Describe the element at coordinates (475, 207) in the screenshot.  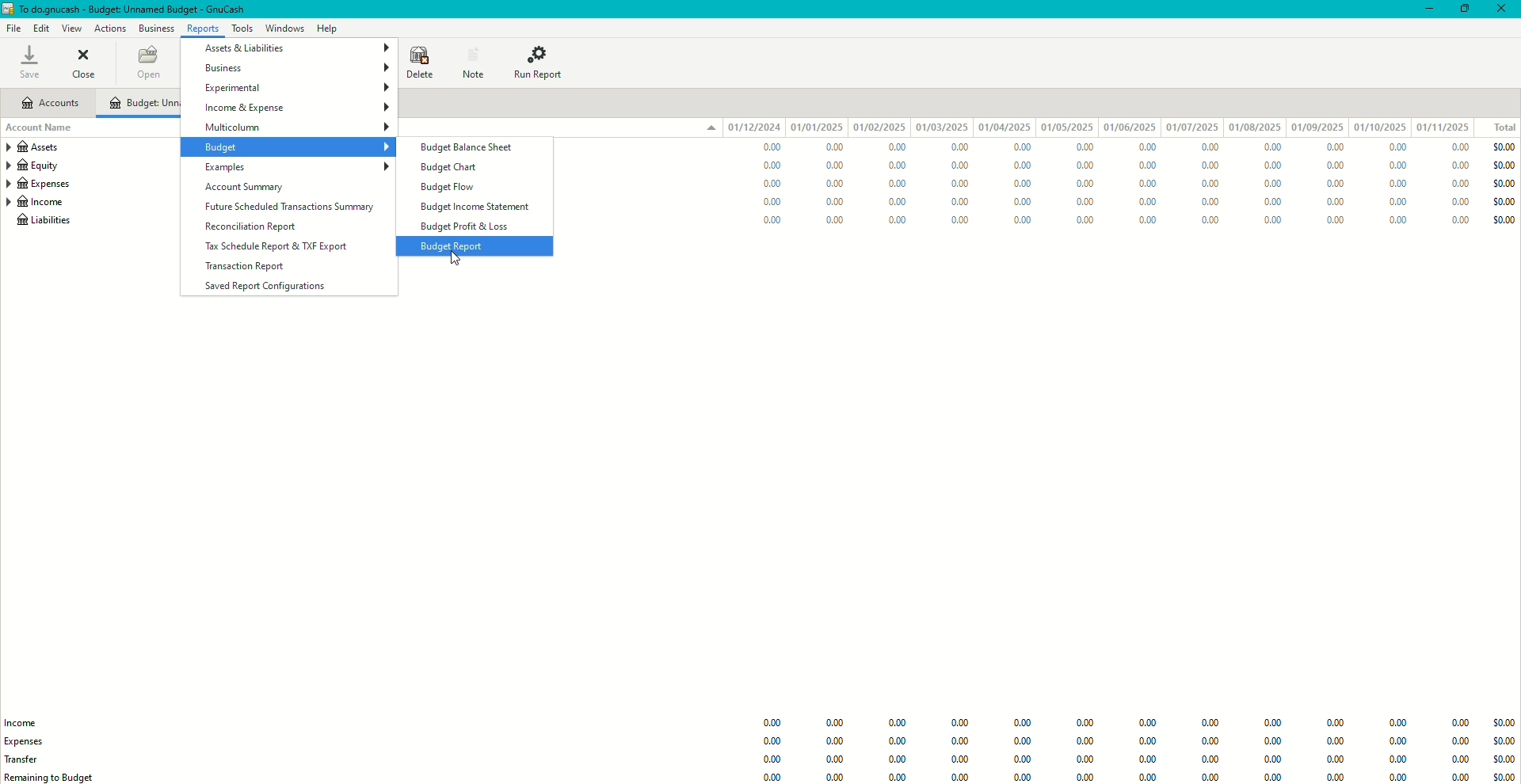
I see `Budget Income Statement` at that location.